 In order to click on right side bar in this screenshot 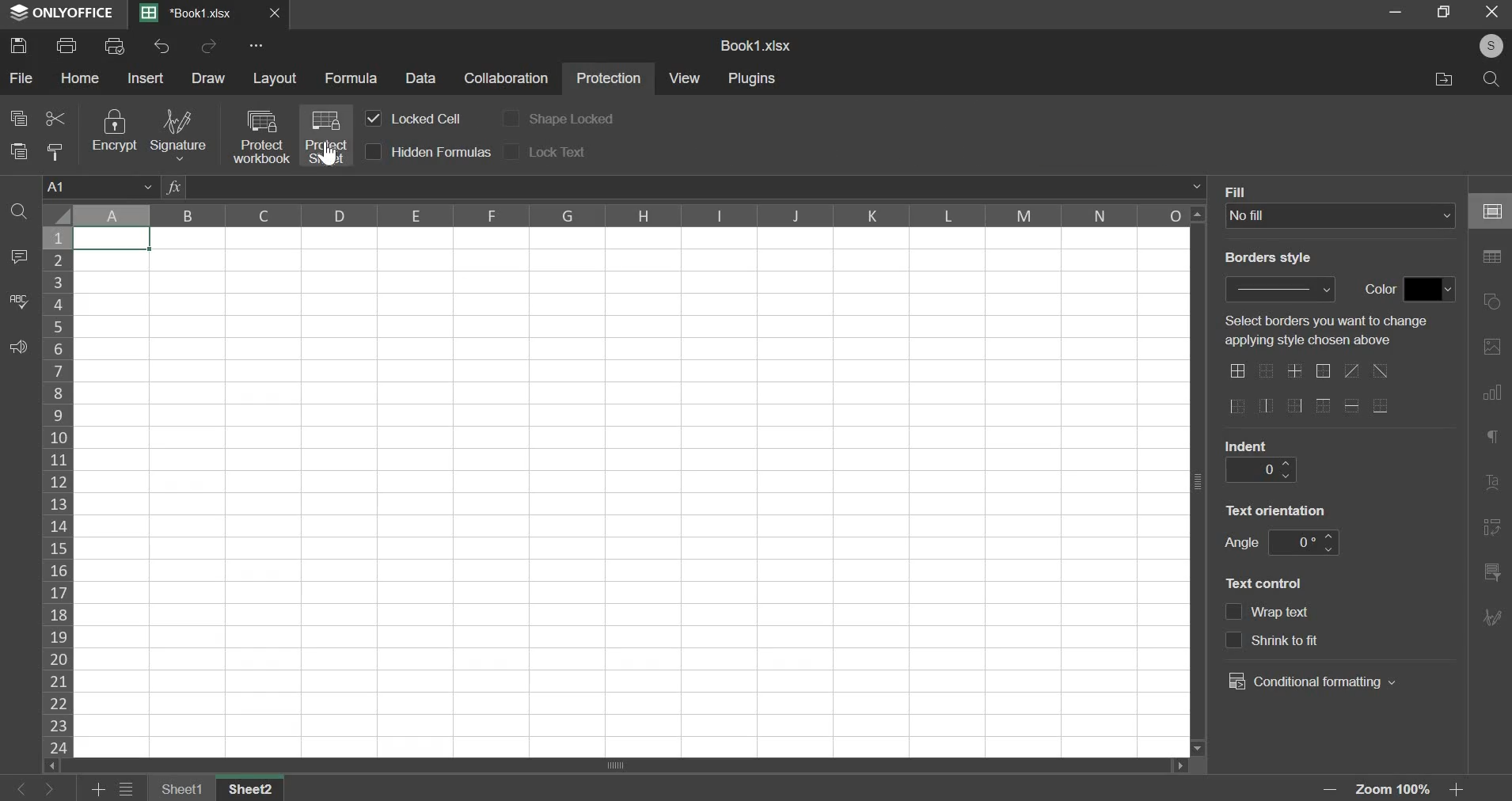, I will do `click(1491, 571)`.